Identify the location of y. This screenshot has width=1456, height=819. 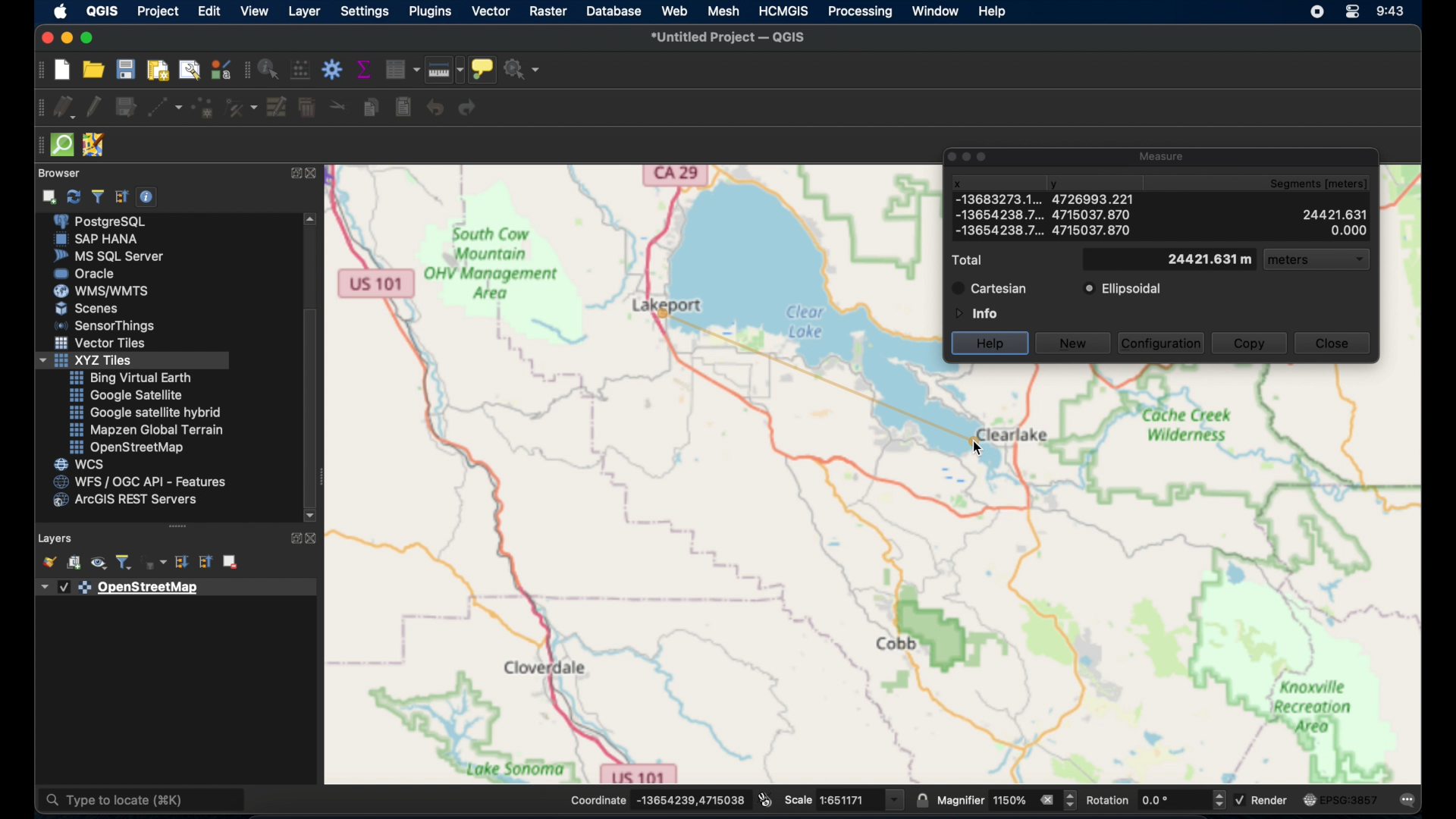
(1061, 181).